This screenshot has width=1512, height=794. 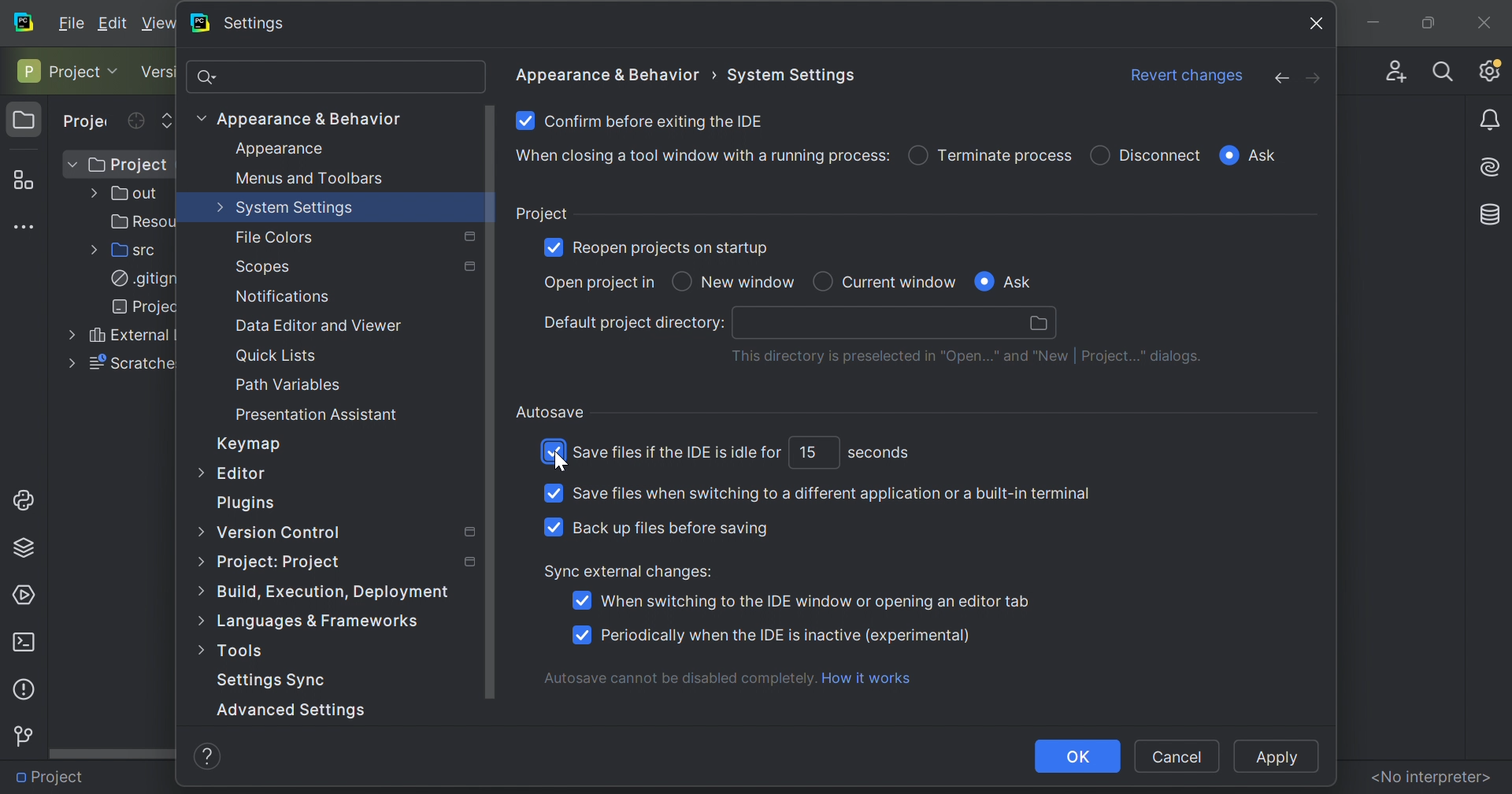 What do you see at coordinates (1318, 22) in the screenshot?
I see `Close` at bounding box center [1318, 22].